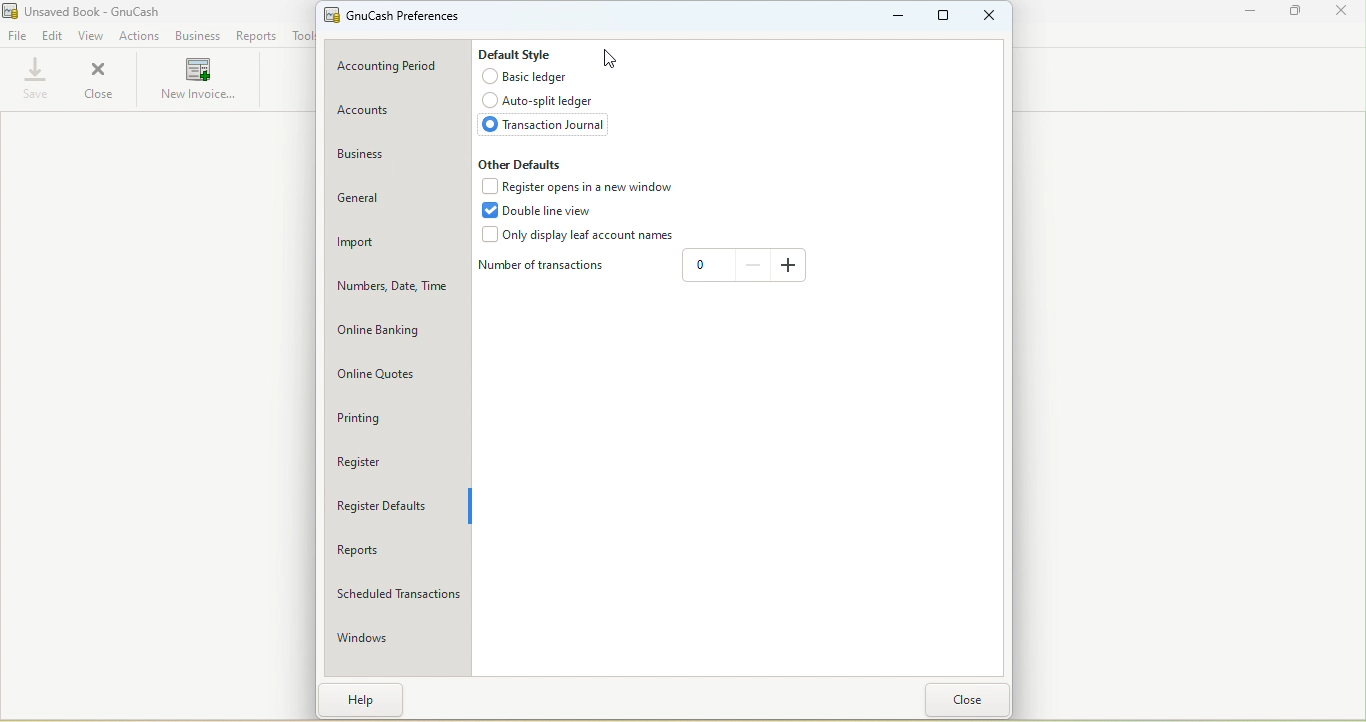 The width and height of the screenshot is (1366, 722). I want to click on GnuCash preferences, so click(396, 16).